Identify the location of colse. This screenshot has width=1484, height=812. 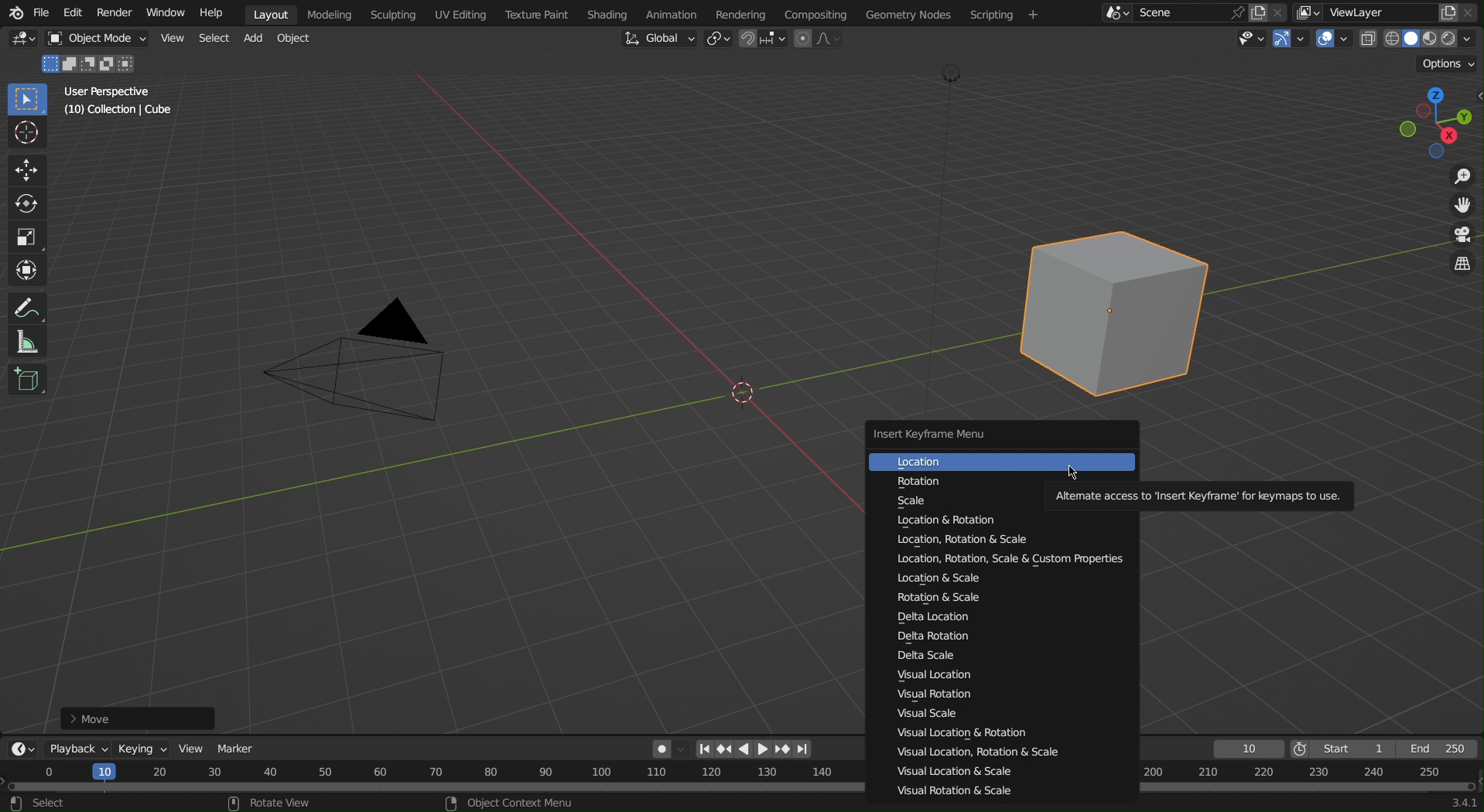
(1284, 11).